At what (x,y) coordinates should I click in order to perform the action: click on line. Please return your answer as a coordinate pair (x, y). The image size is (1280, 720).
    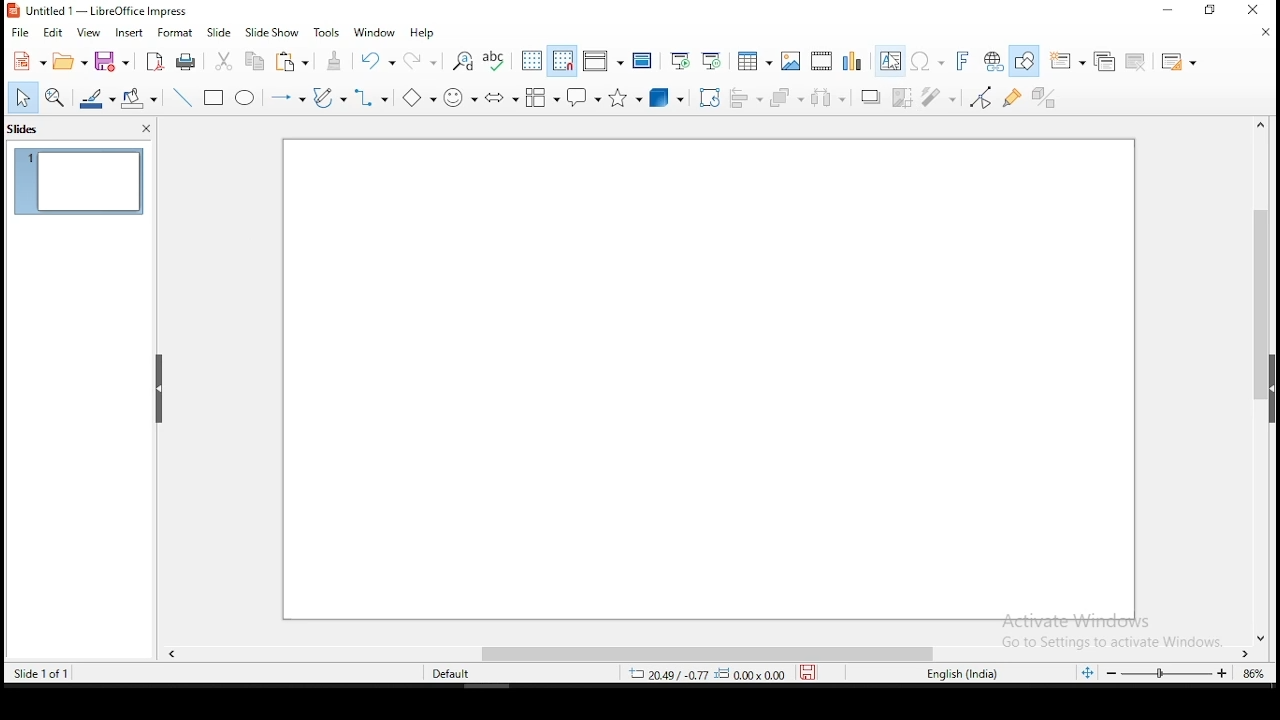
    Looking at the image, I should click on (181, 96).